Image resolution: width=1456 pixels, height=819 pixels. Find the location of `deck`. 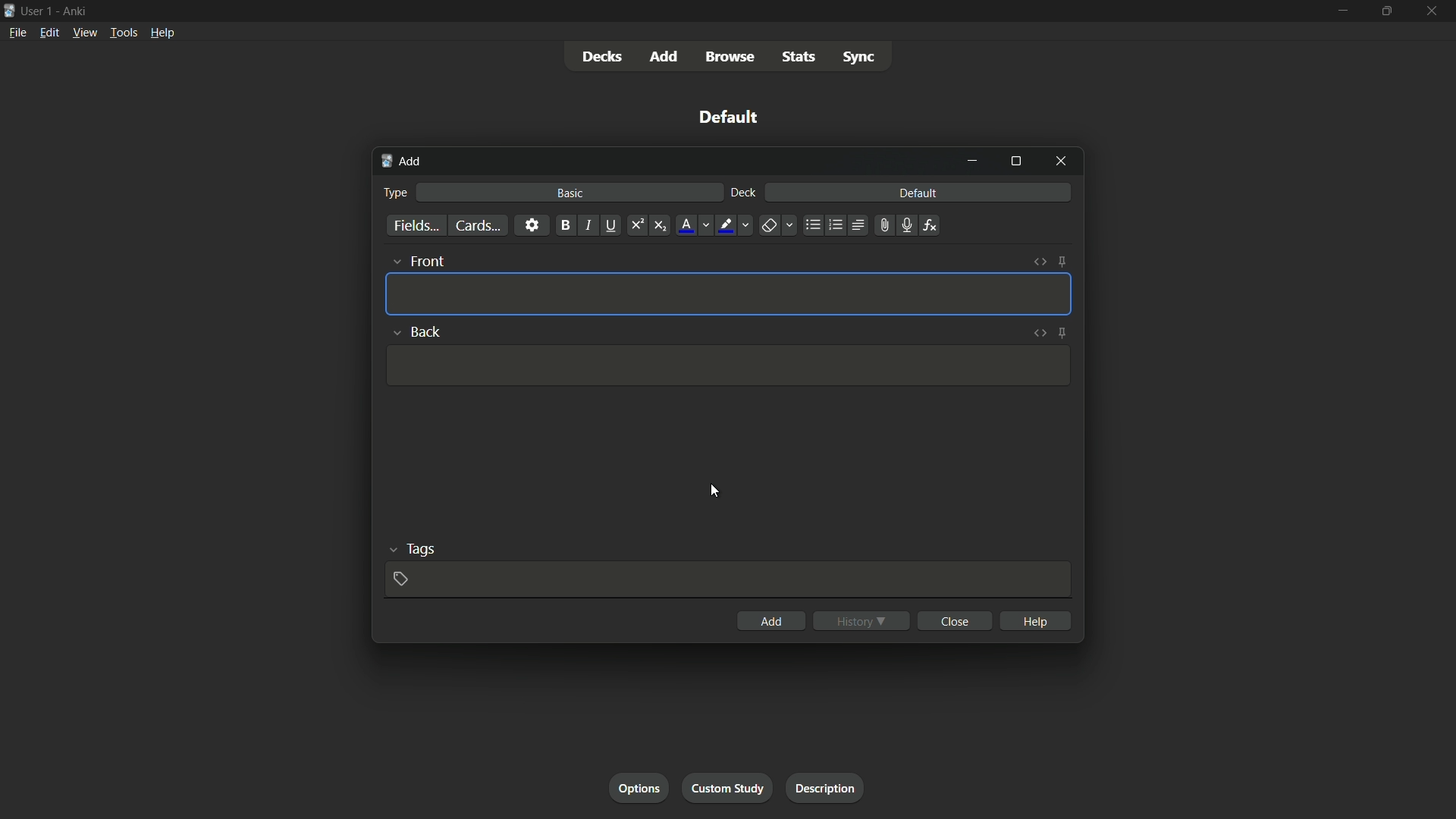

deck is located at coordinates (744, 193).